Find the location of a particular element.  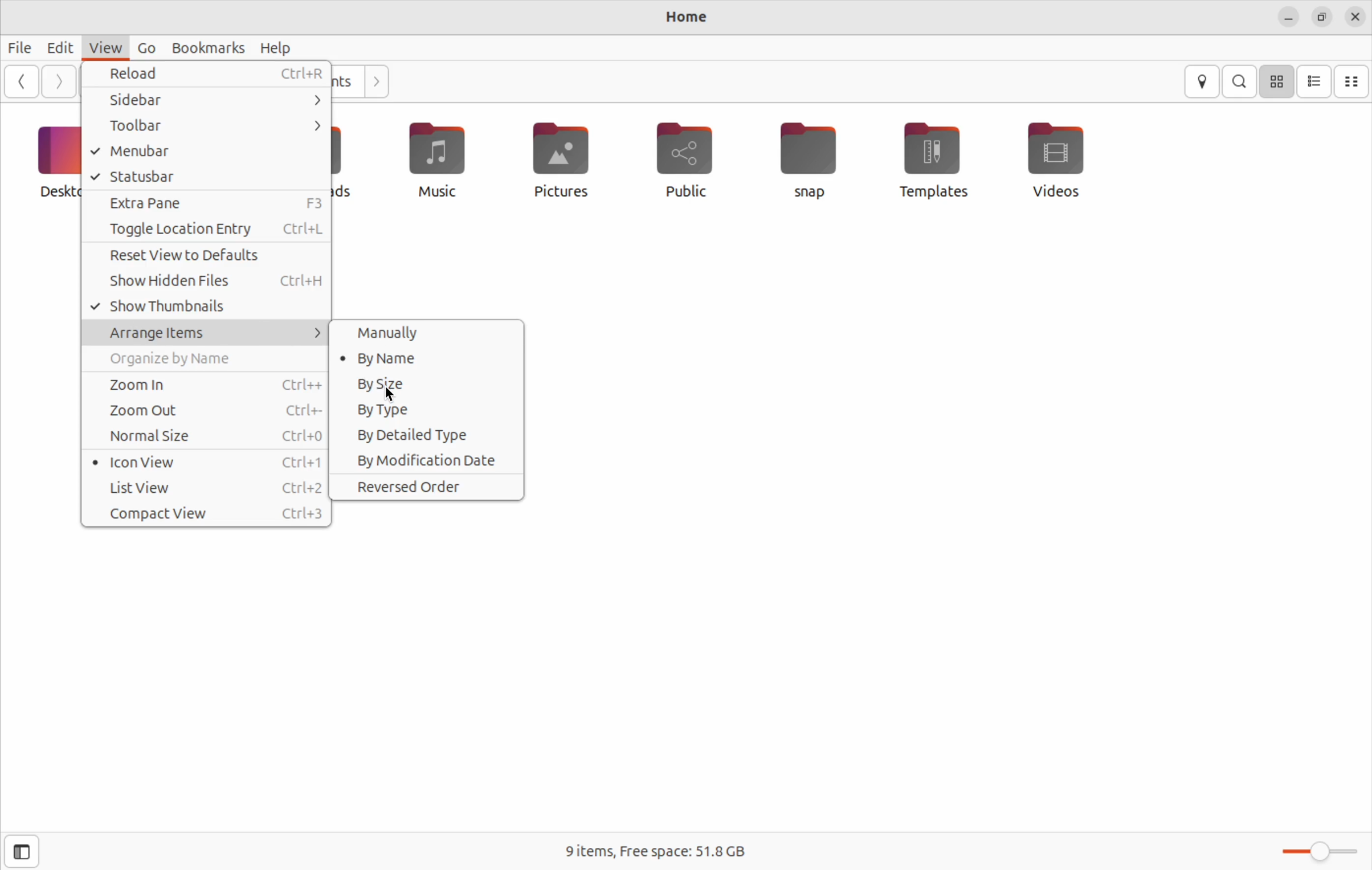

menubar is located at coordinates (208, 152).